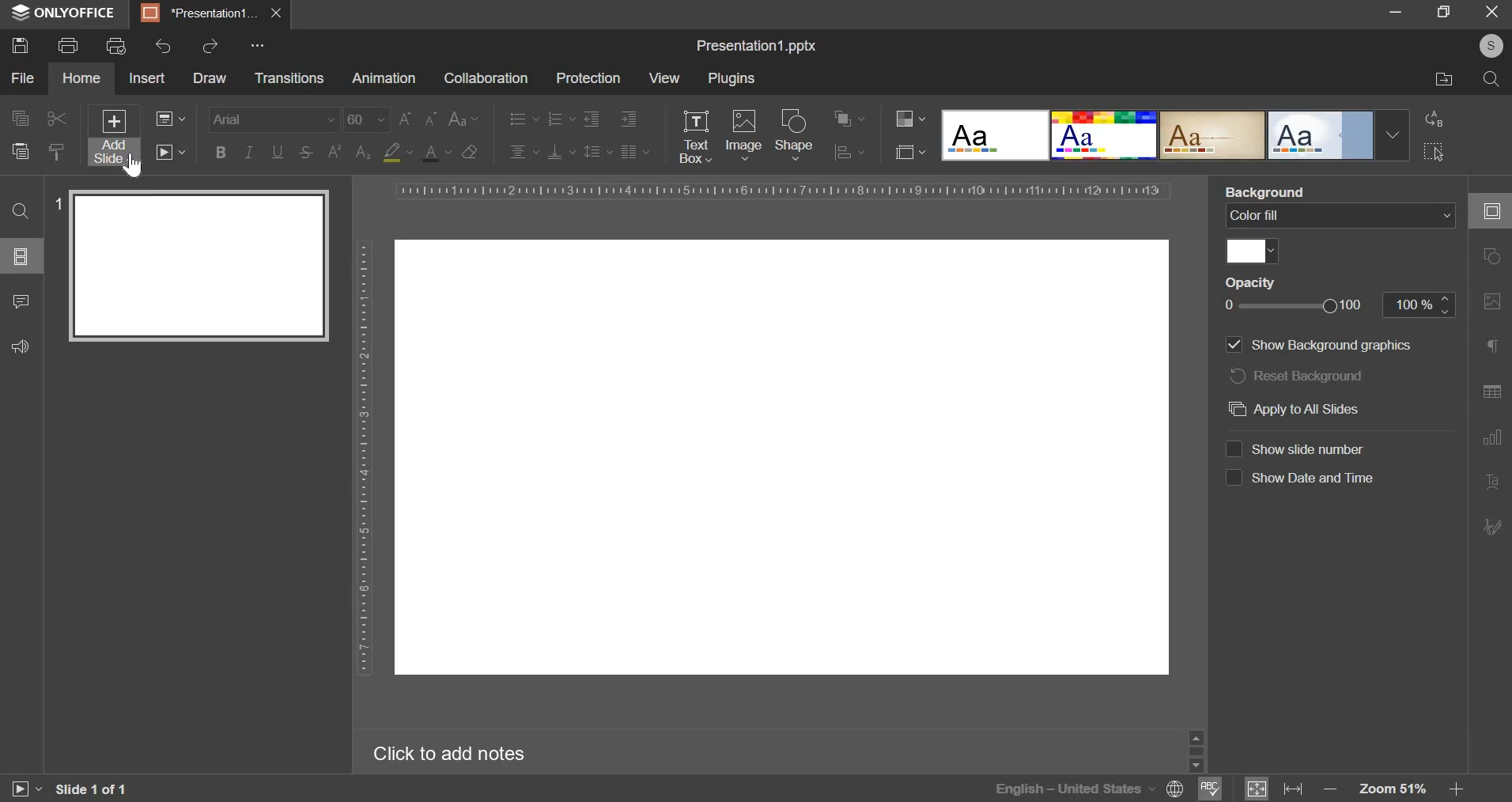 The height and width of the screenshot is (802, 1512). What do you see at coordinates (588, 78) in the screenshot?
I see `protection` at bounding box center [588, 78].